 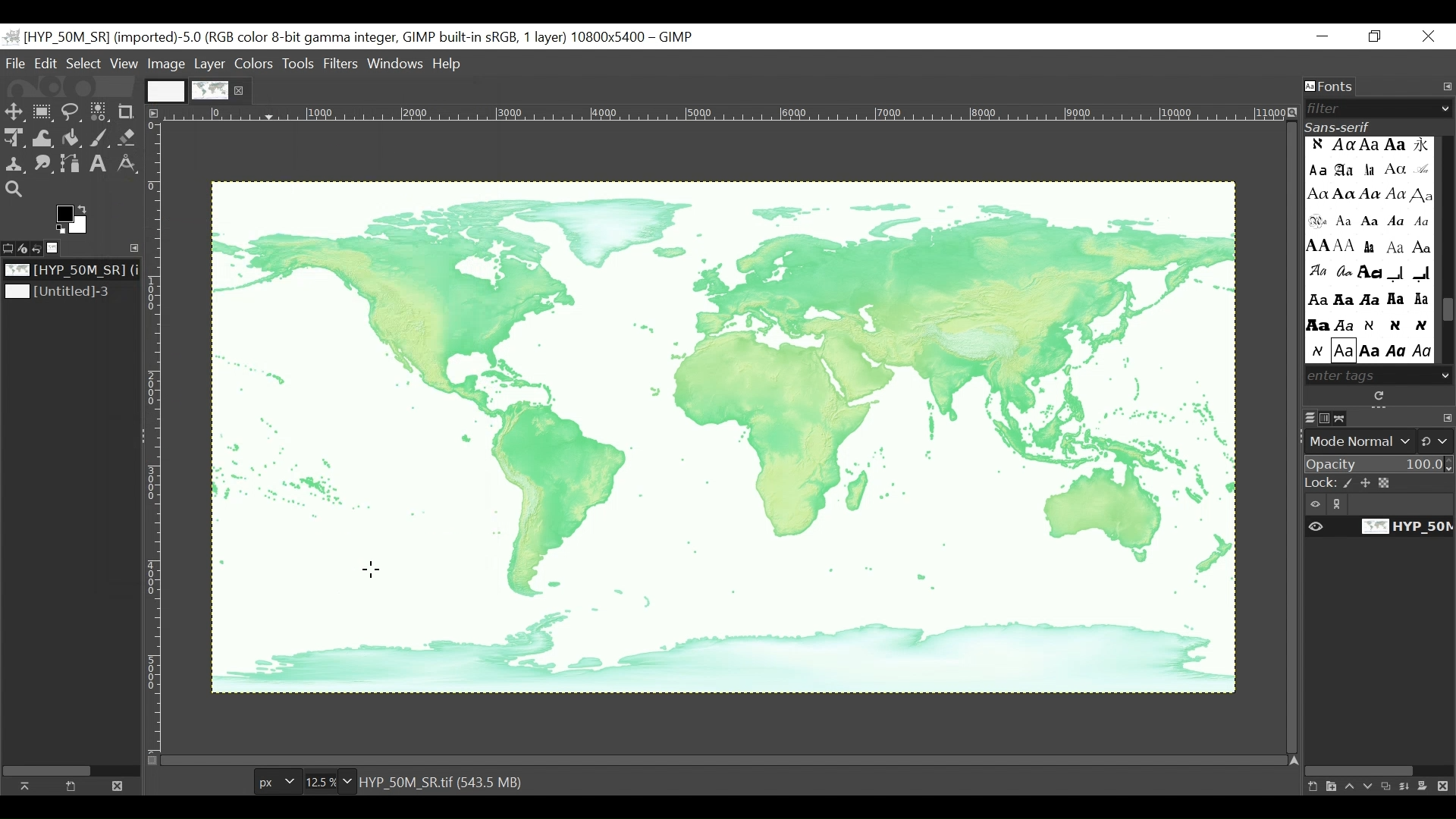 What do you see at coordinates (75, 219) in the screenshot?
I see `Active foreground/background` at bounding box center [75, 219].